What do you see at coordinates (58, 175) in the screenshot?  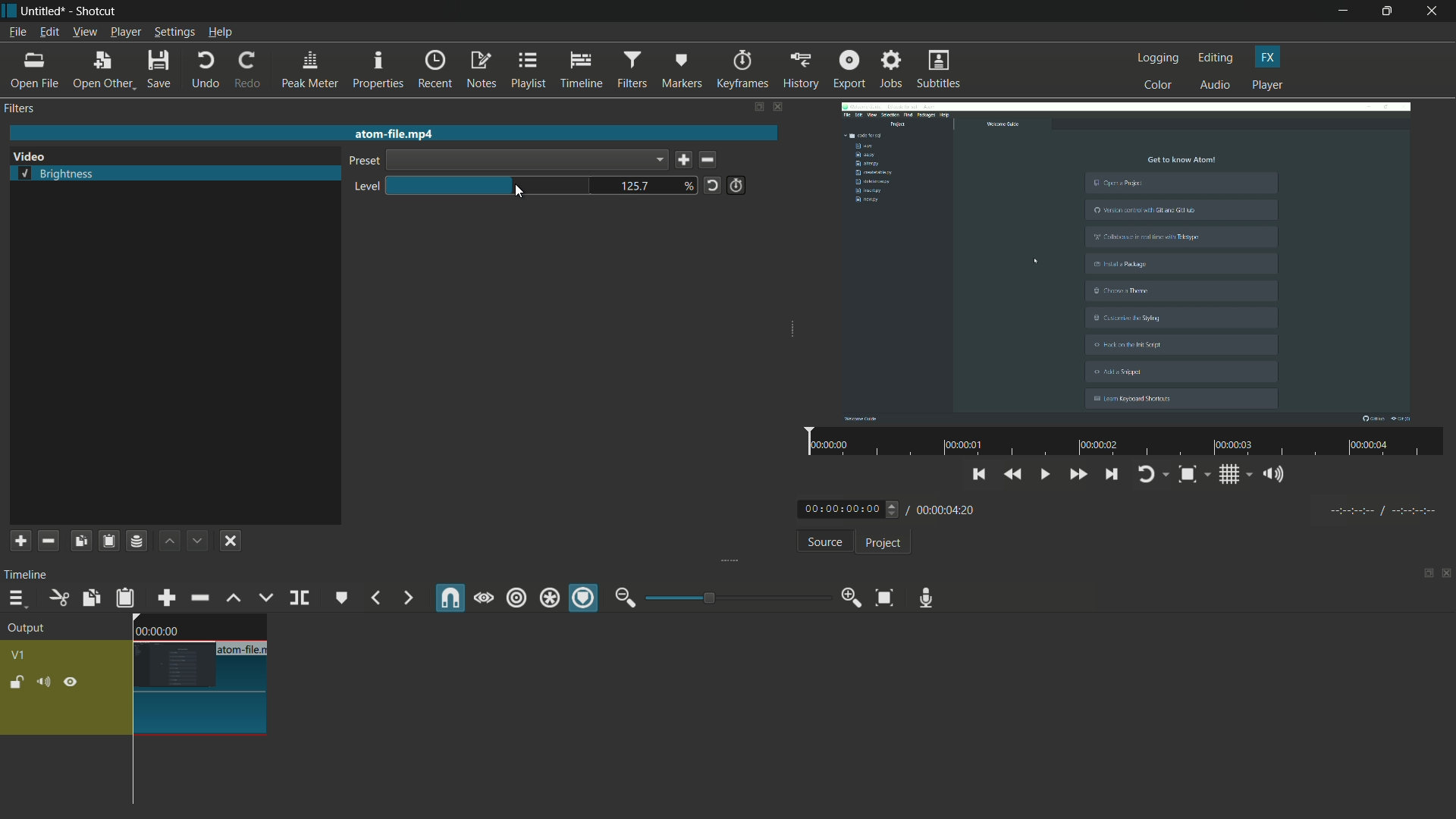 I see `brightness` at bounding box center [58, 175].